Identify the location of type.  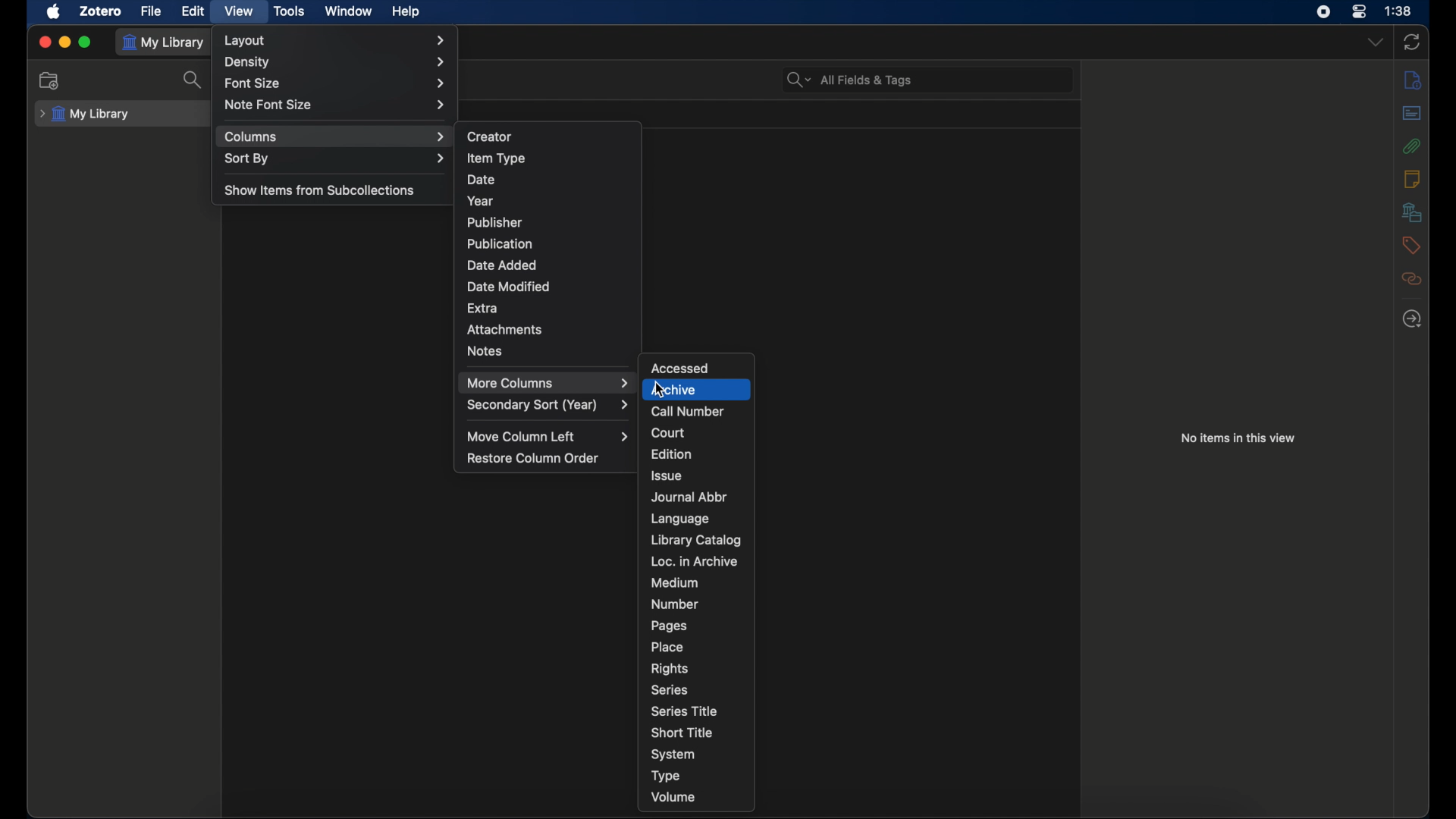
(665, 776).